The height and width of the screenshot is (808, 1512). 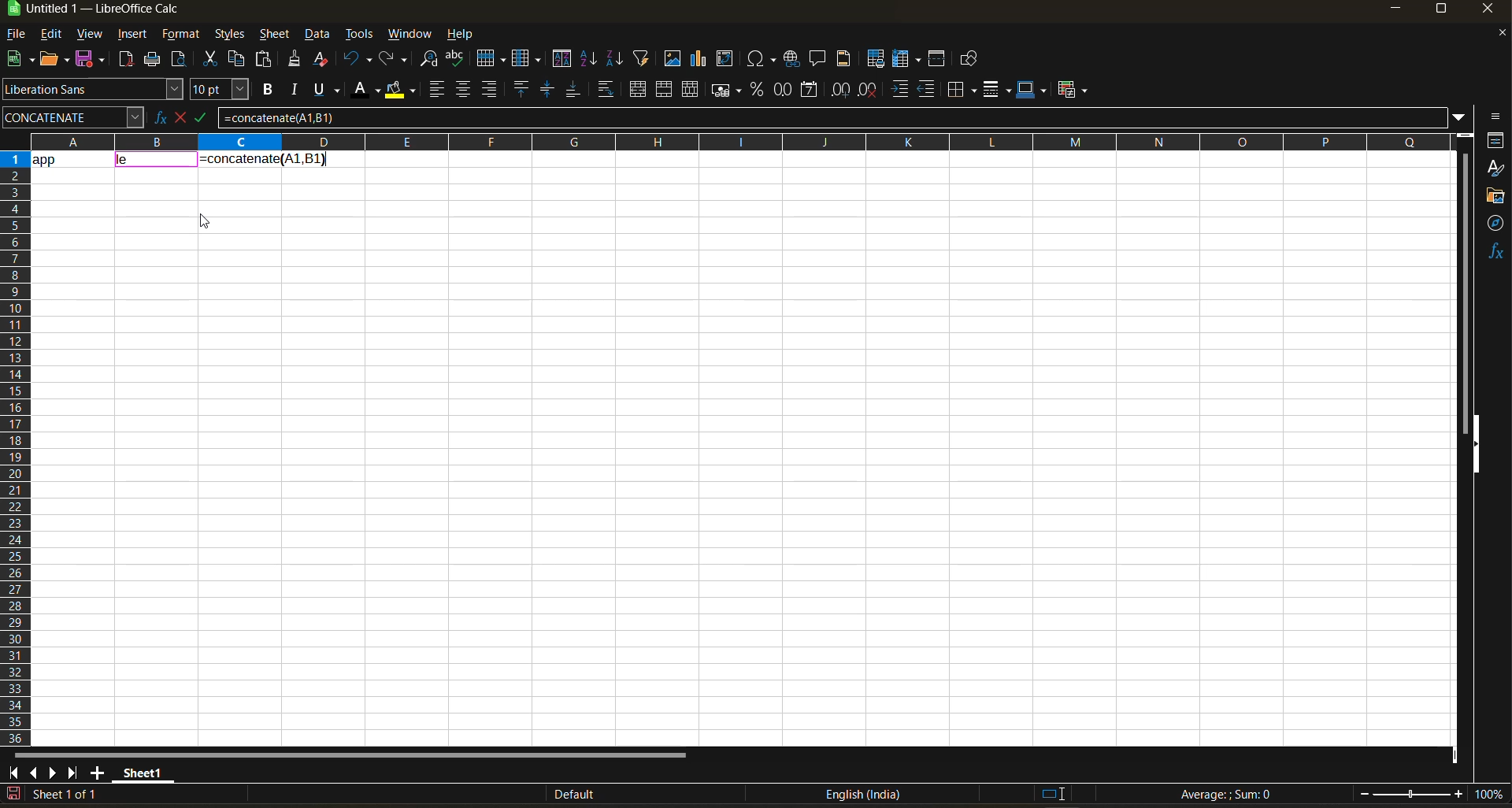 What do you see at coordinates (528, 61) in the screenshot?
I see `column` at bounding box center [528, 61].